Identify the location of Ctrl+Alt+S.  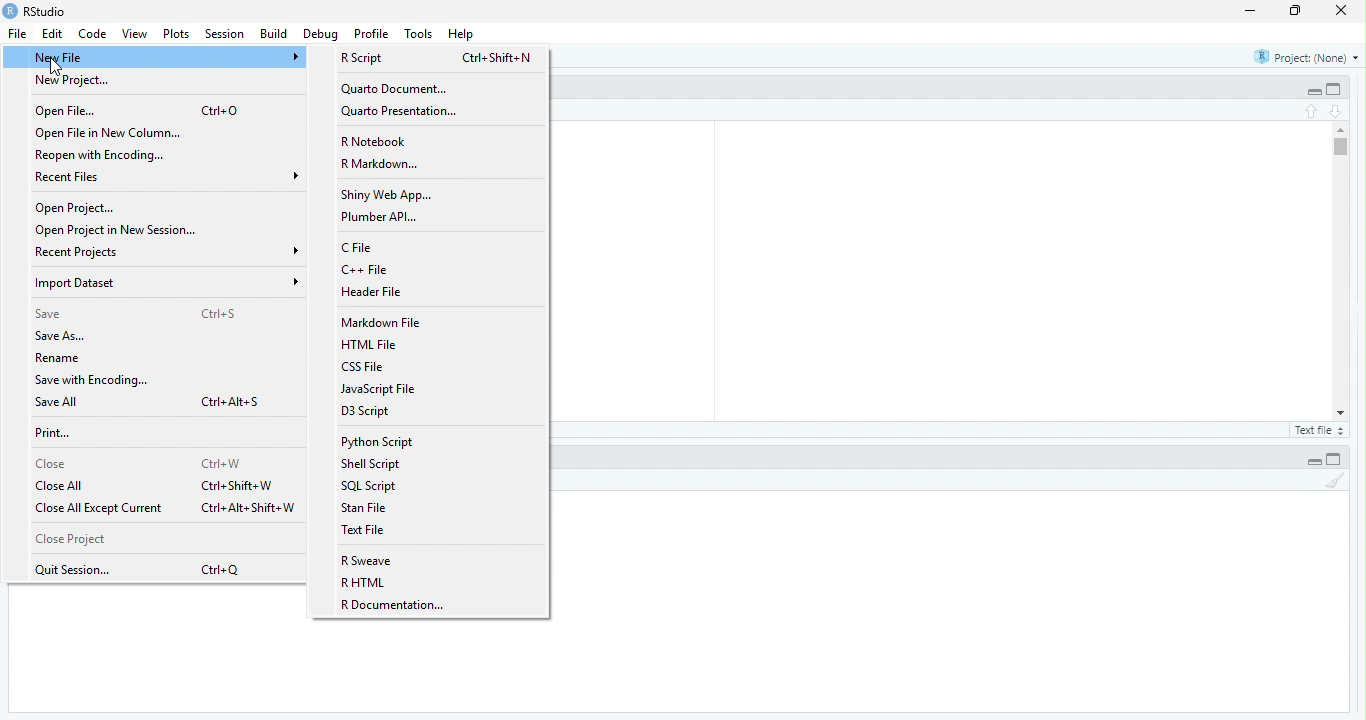
(233, 402).